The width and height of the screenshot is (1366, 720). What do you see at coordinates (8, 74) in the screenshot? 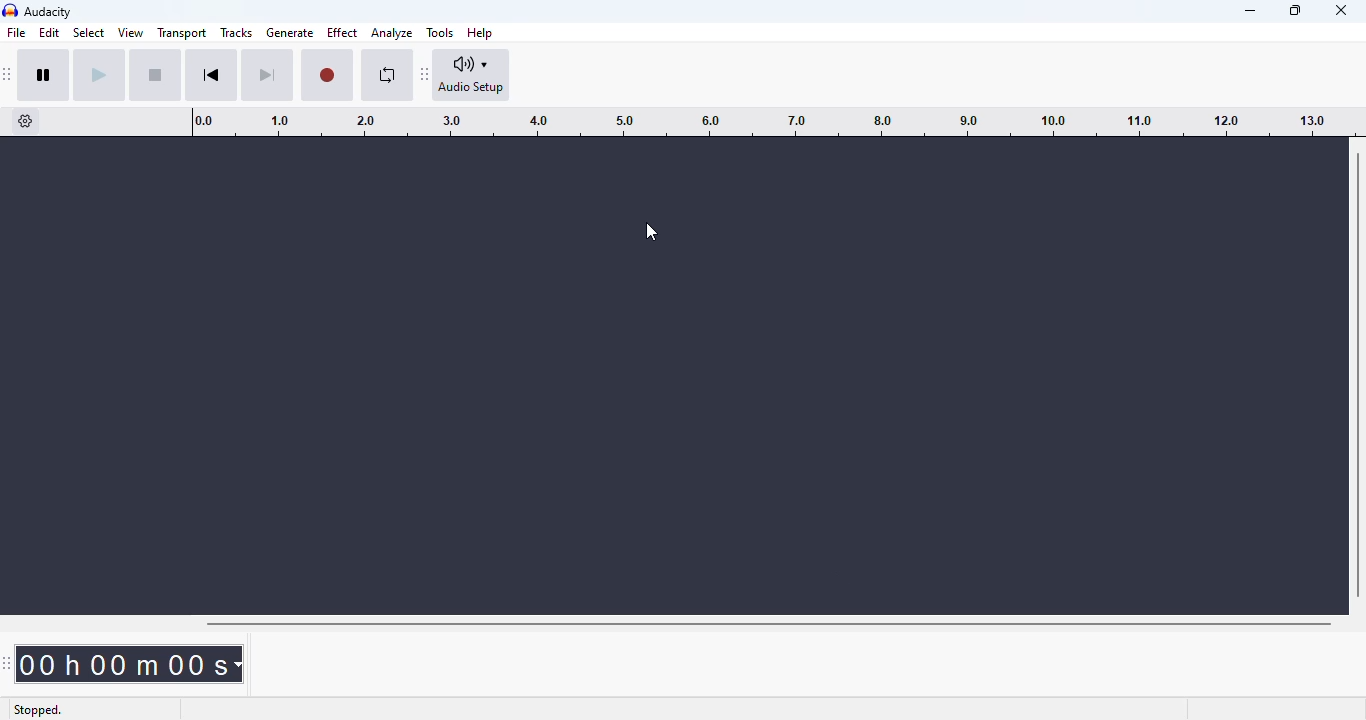
I see `audacity transport toolbar` at bounding box center [8, 74].